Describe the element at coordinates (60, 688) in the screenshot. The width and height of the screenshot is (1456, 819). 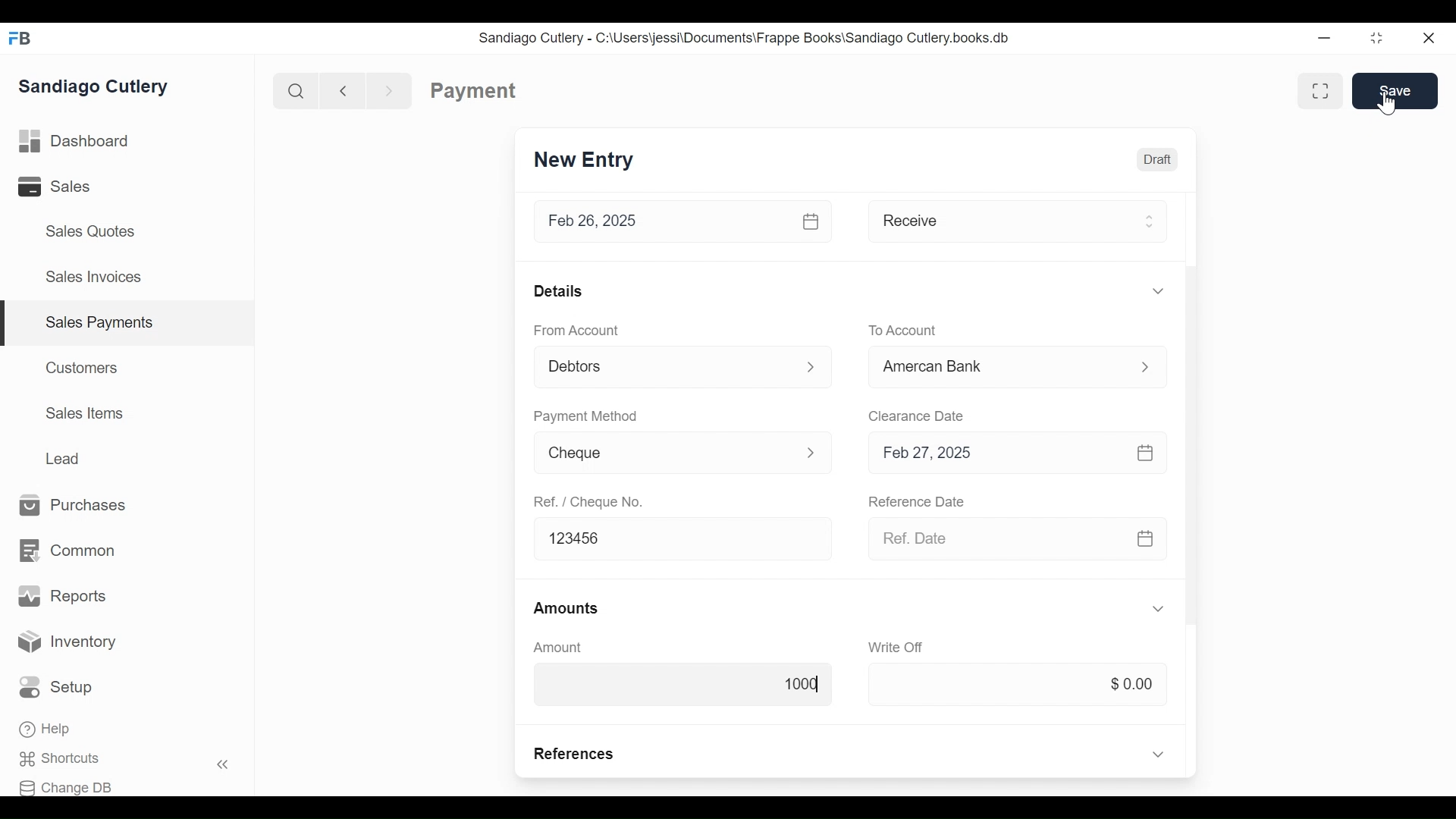
I see `Setup` at that location.